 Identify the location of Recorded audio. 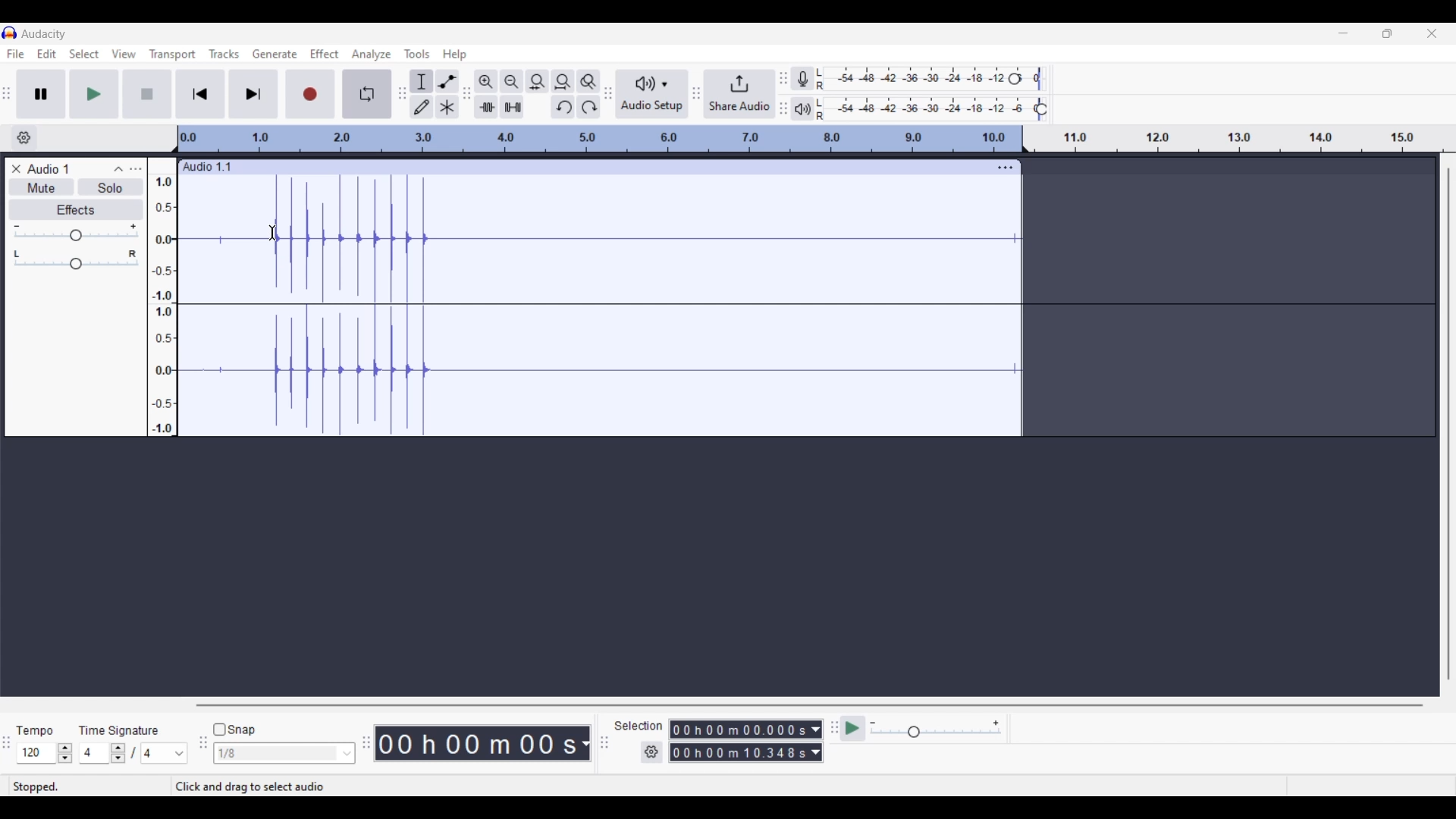
(598, 306).